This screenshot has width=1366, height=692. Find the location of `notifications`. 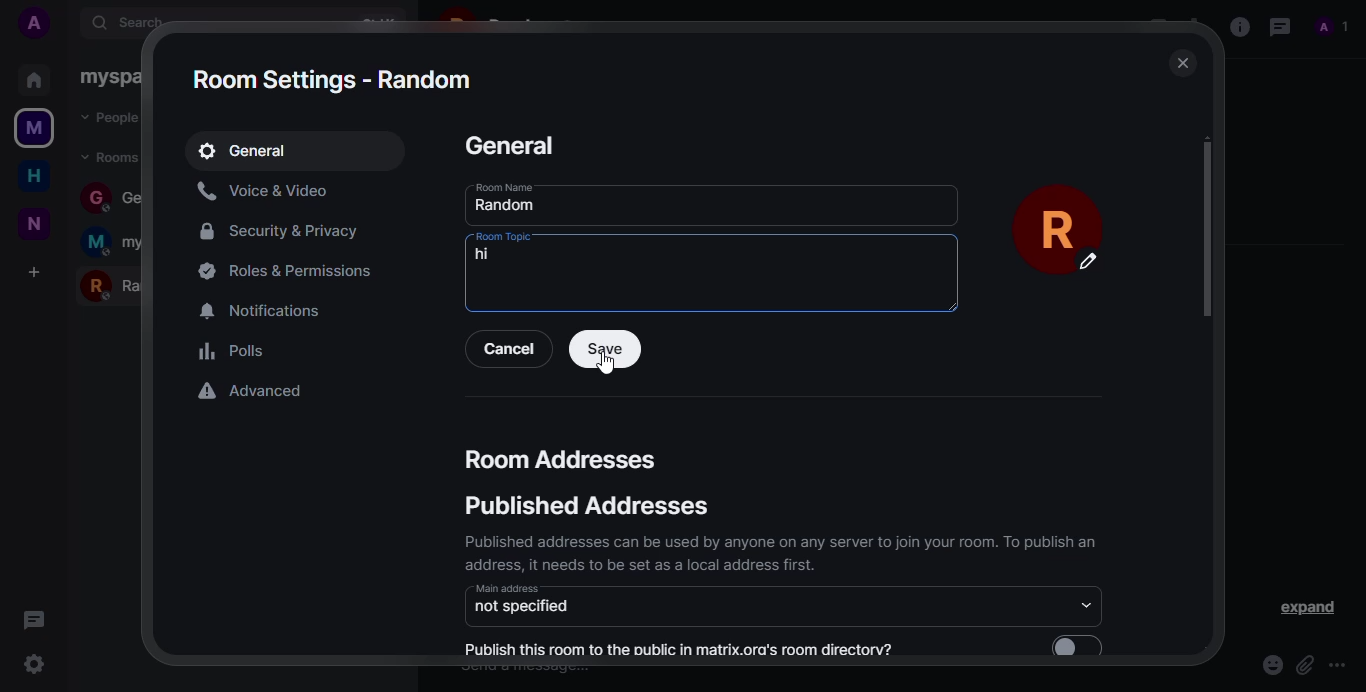

notifications is located at coordinates (259, 312).